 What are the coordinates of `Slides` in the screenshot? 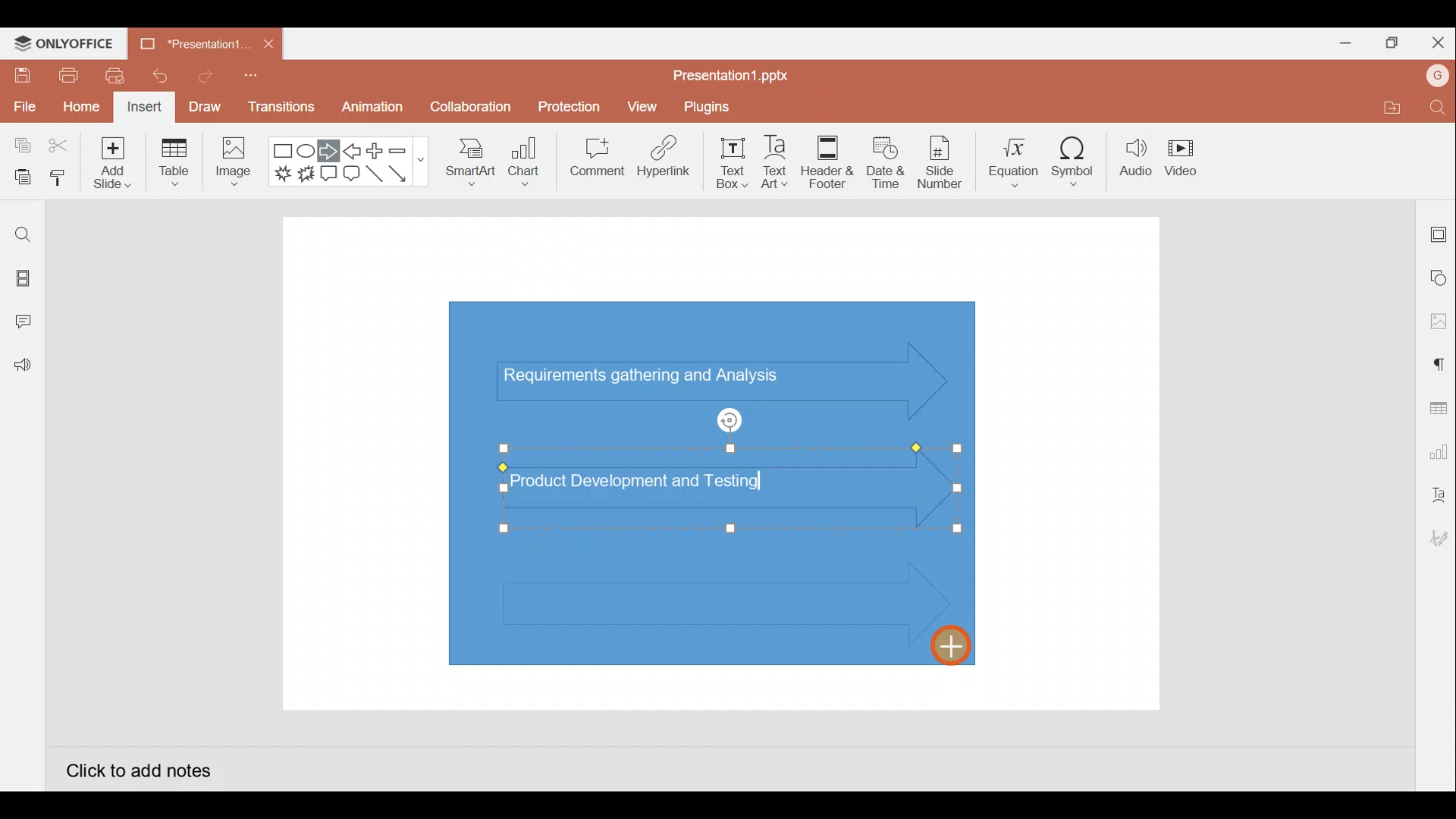 It's located at (21, 281).